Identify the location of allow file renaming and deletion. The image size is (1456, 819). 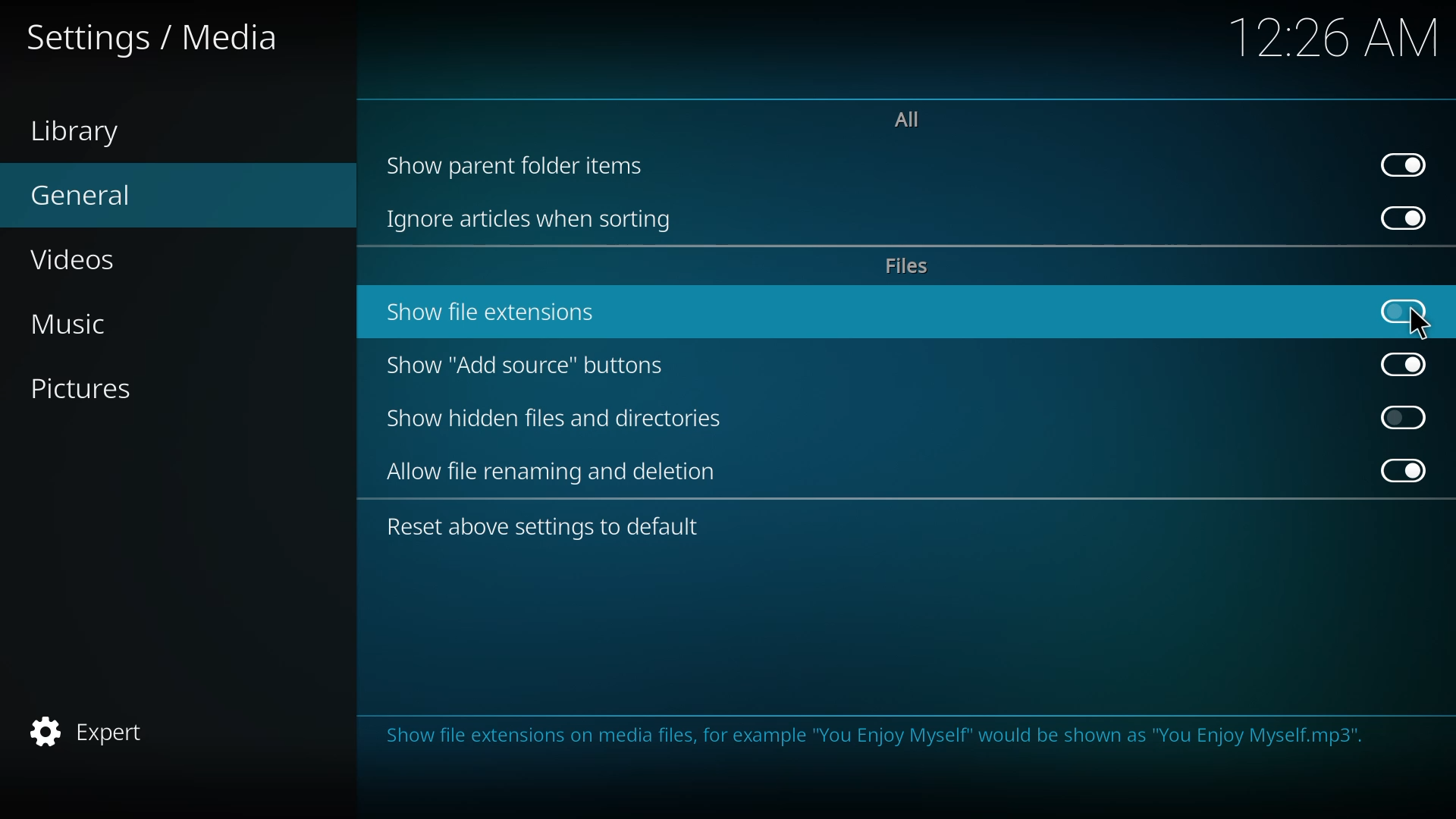
(555, 472).